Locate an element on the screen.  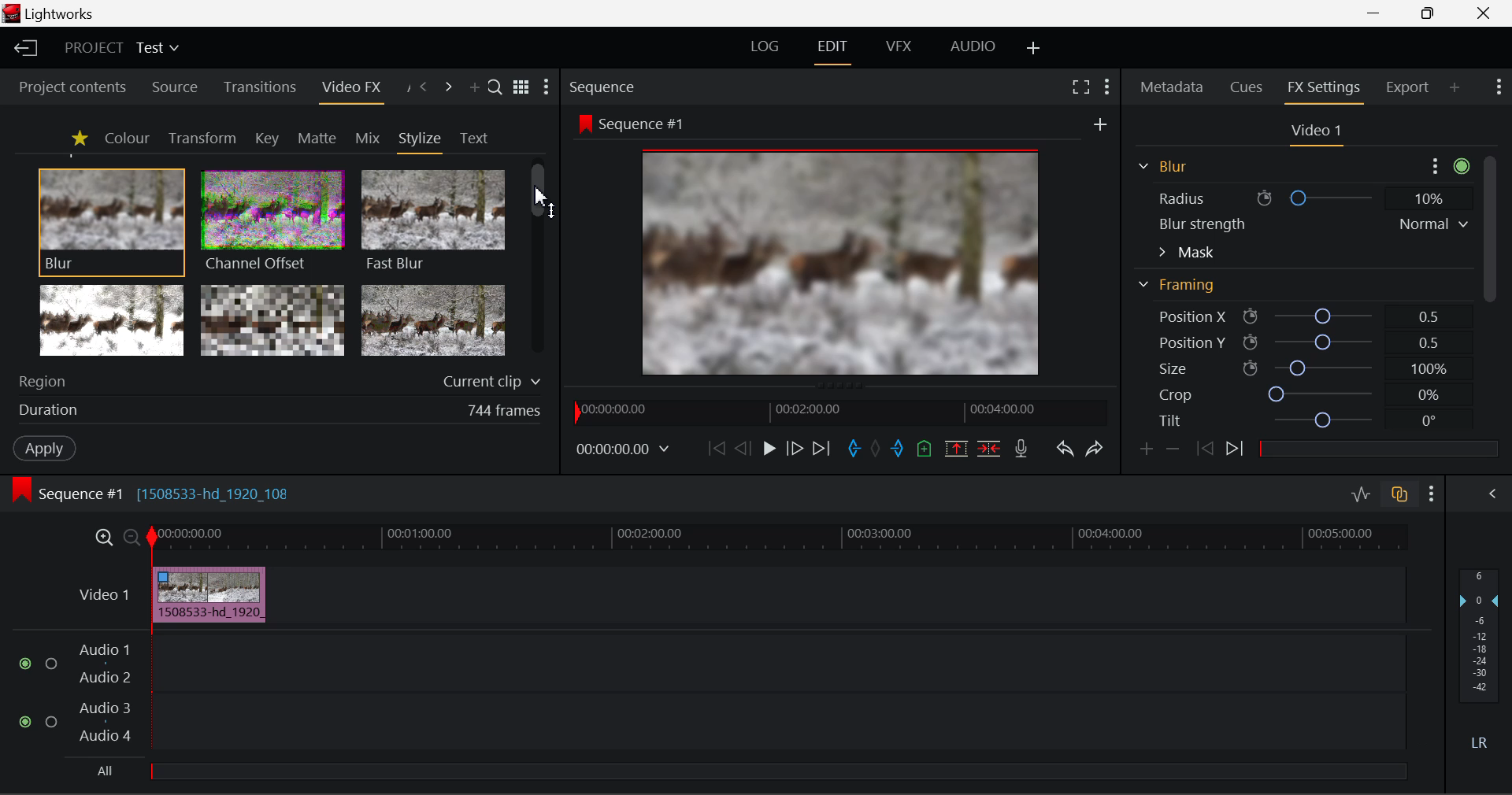
Posterize is located at coordinates (435, 321).